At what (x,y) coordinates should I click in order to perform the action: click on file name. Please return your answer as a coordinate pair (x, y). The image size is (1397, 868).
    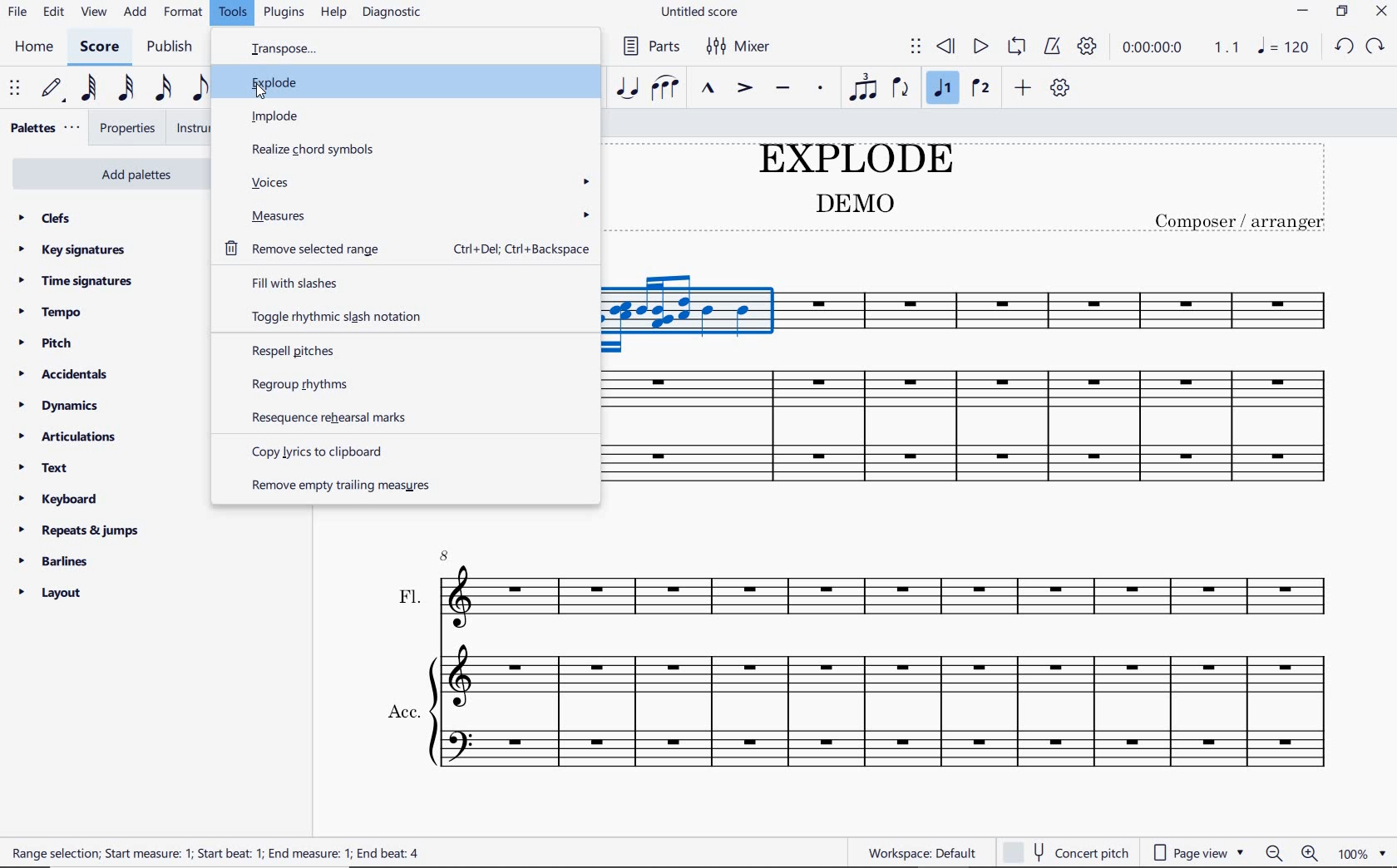
    Looking at the image, I should click on (700, 13).